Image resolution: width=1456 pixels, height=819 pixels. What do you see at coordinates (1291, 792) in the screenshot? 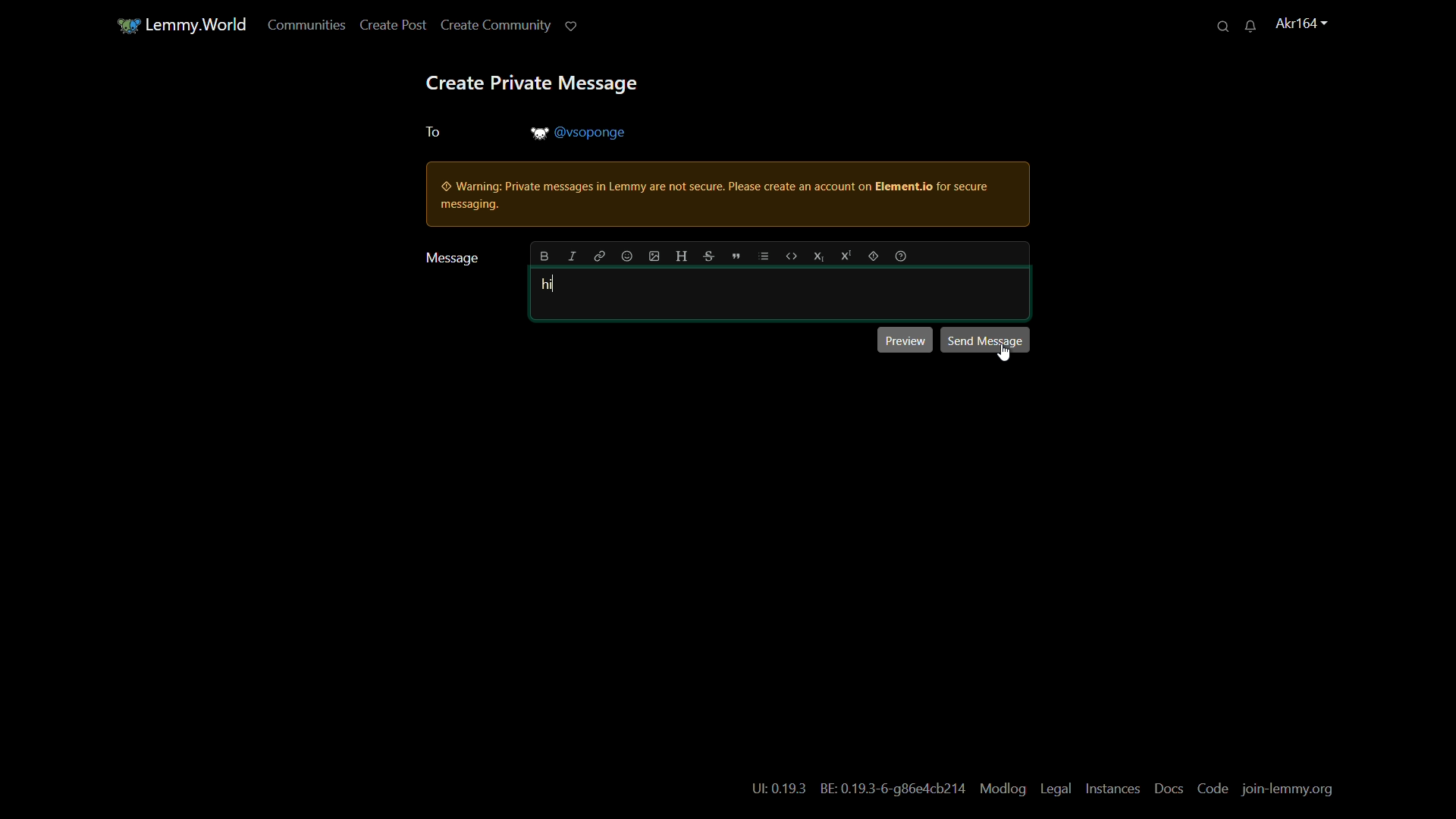
I see `join-lemmy.org` at bounding box center [1291, 792].